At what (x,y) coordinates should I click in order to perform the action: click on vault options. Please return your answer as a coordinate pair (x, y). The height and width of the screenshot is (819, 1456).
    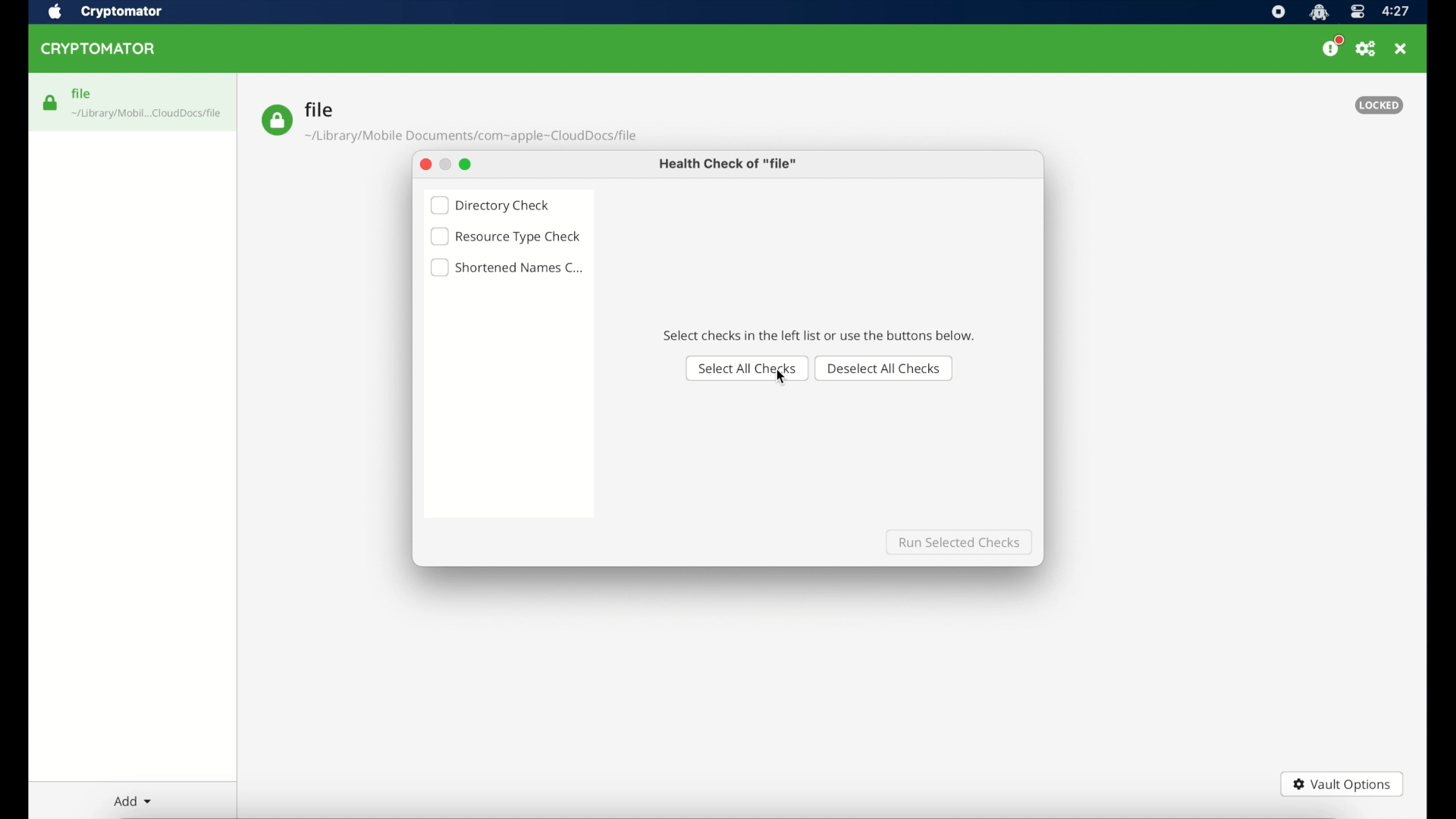
    Looking at the image, I should click on (1342, 784).